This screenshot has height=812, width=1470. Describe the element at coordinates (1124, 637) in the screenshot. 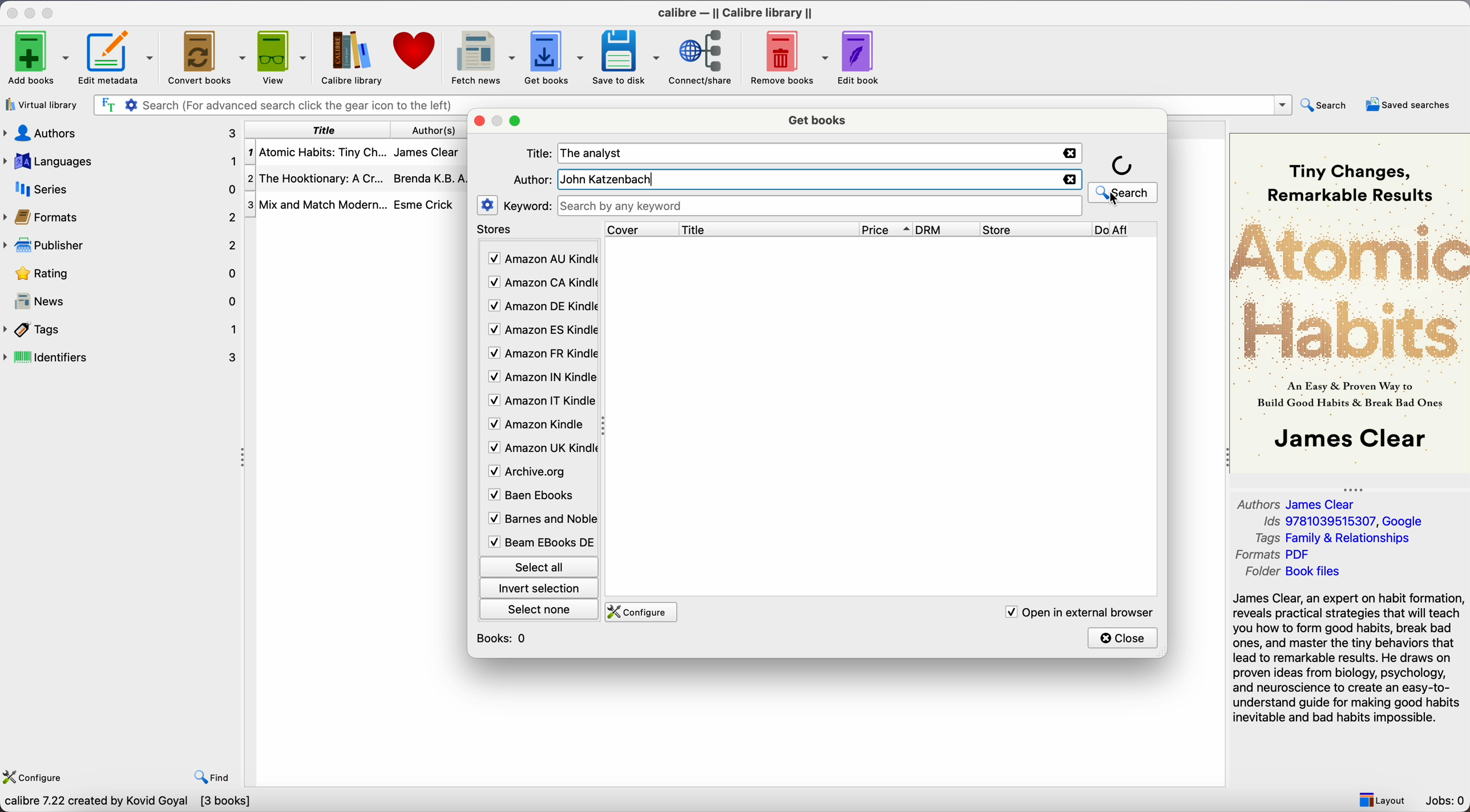

I see `close` at that location.